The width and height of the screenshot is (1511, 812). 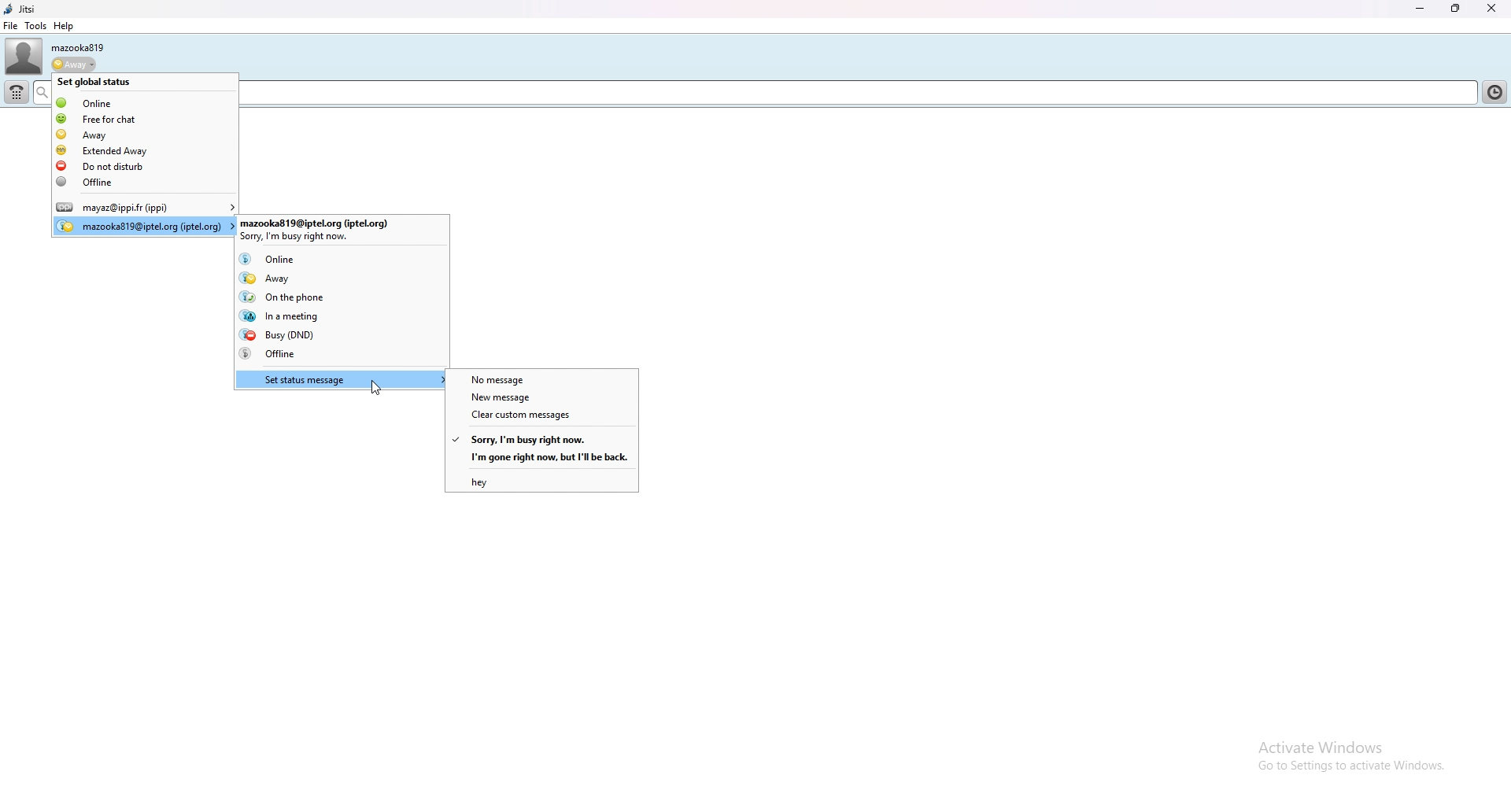 I want to click on online, so click(x=342, y=257).